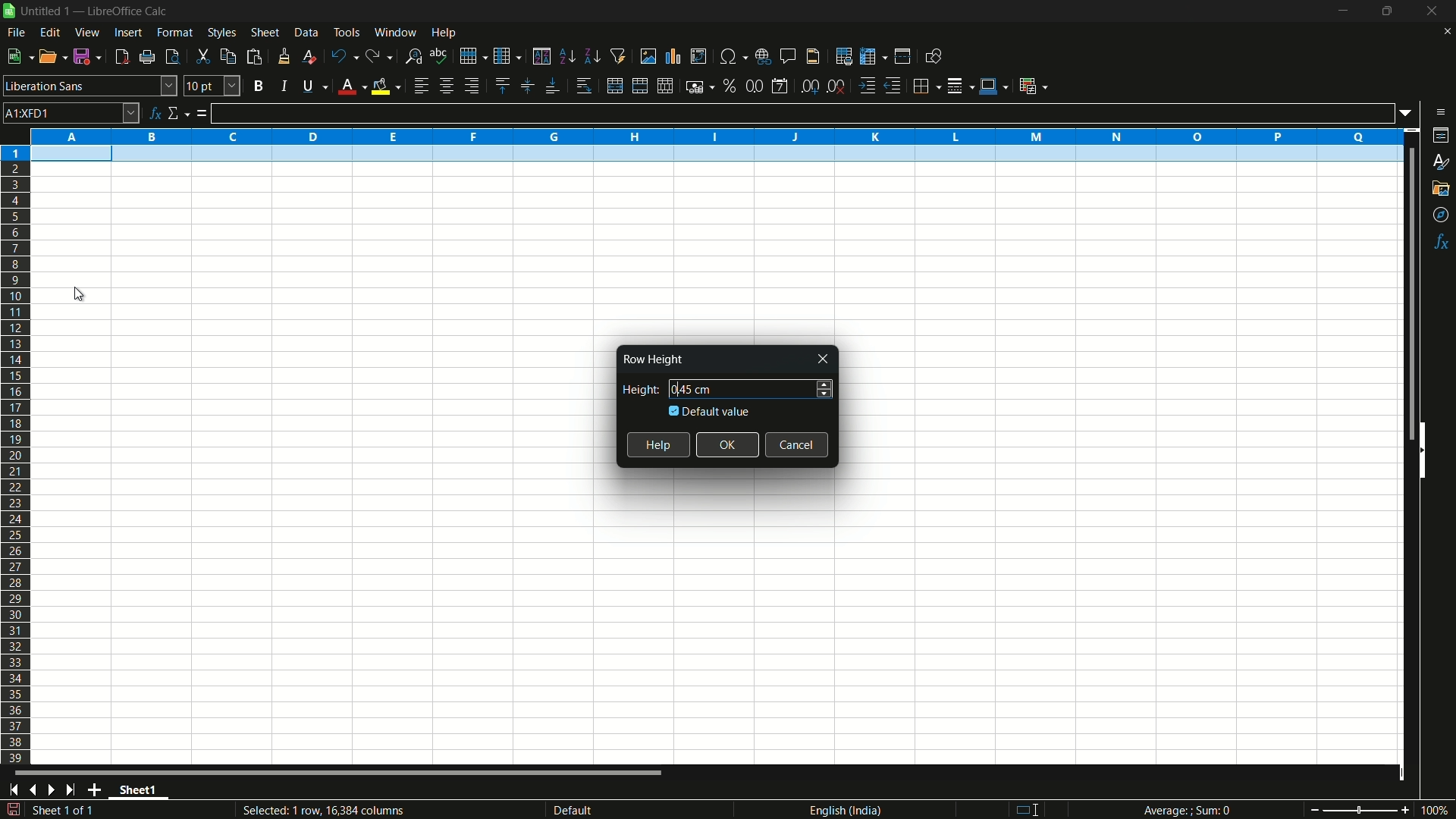 The width and height of the screenshot is (1456, 819). Describe the element at coordinates (1429, 449) in the screenshot. I see `hide sidebar` at that location.